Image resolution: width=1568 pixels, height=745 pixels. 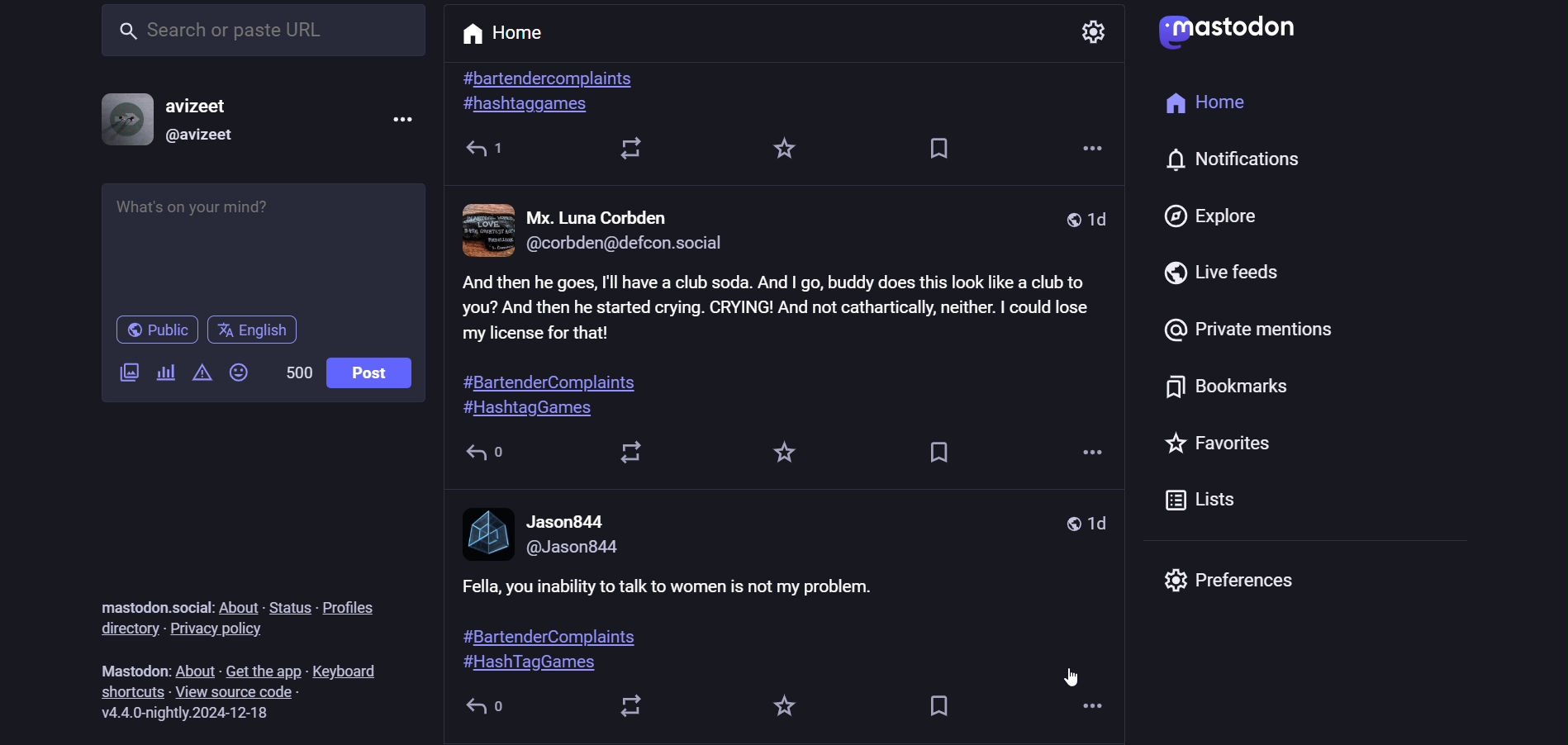 I want to click on emojis, so click(x=242, y=375).